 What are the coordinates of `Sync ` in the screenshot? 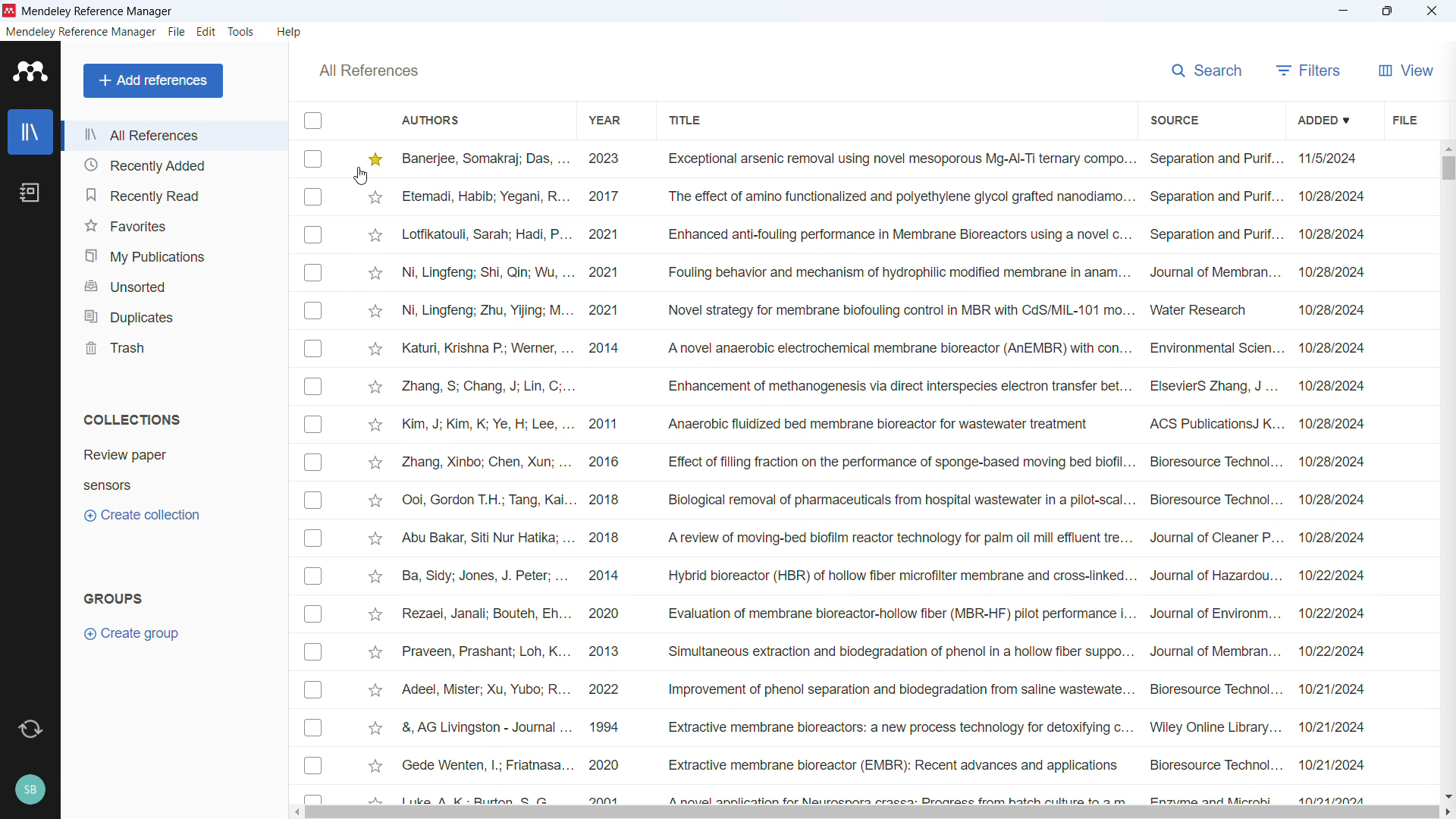 It's located at (29, 729).